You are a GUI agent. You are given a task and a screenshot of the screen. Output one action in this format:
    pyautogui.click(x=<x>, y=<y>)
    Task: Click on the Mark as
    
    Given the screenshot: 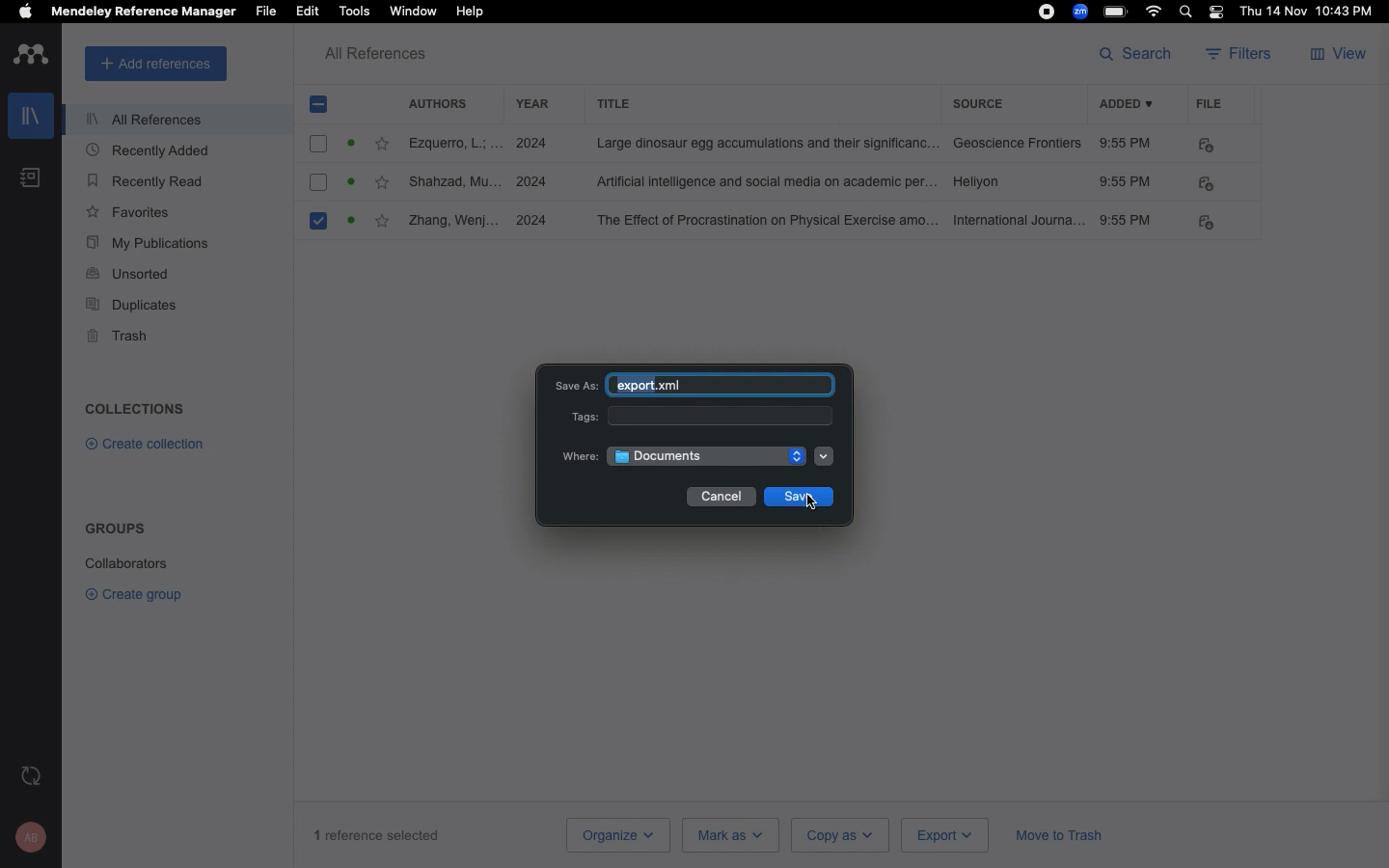 What is the action you would take?
    pyautogui.click(x=730, y=835)
    